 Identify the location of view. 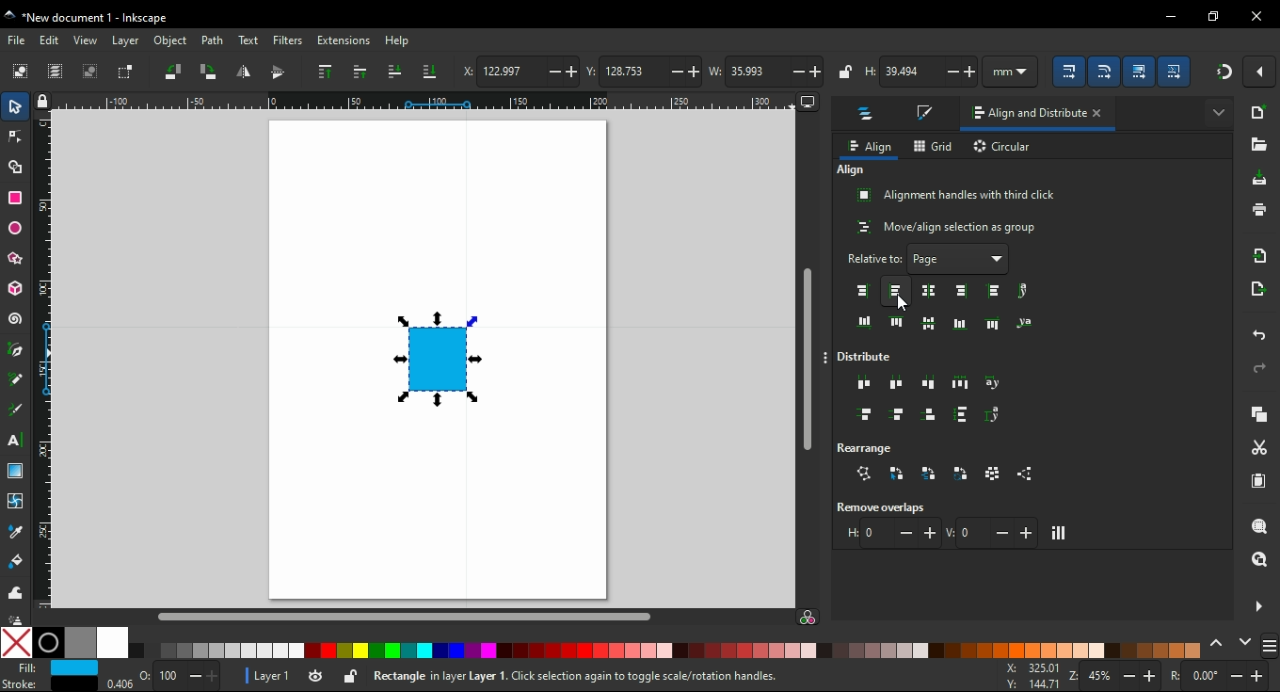
(86, 41).